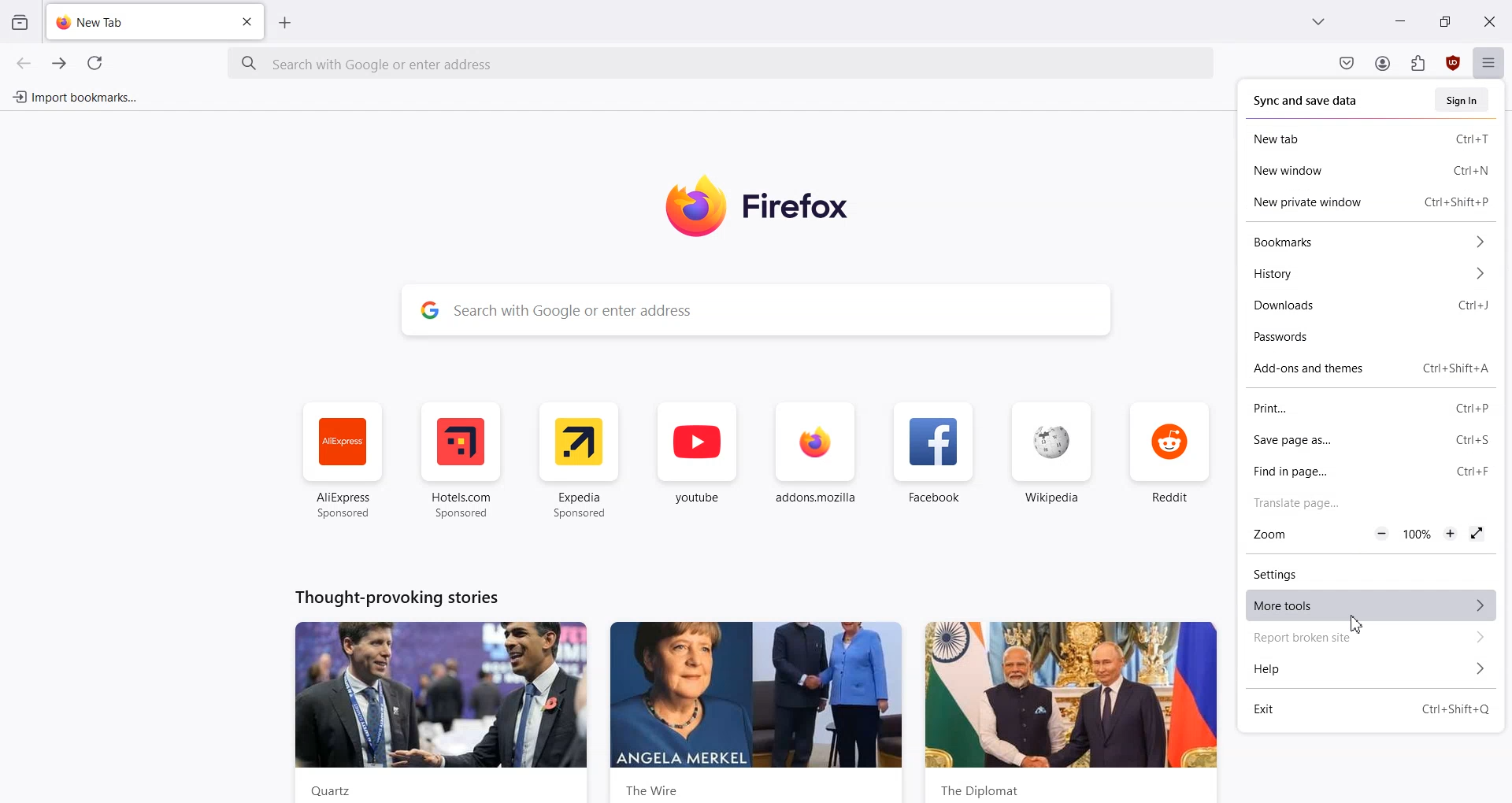  What do you see at coordinates (1366, 274) in the screenshot?
I see `History` at bounding box center [1366, 274].